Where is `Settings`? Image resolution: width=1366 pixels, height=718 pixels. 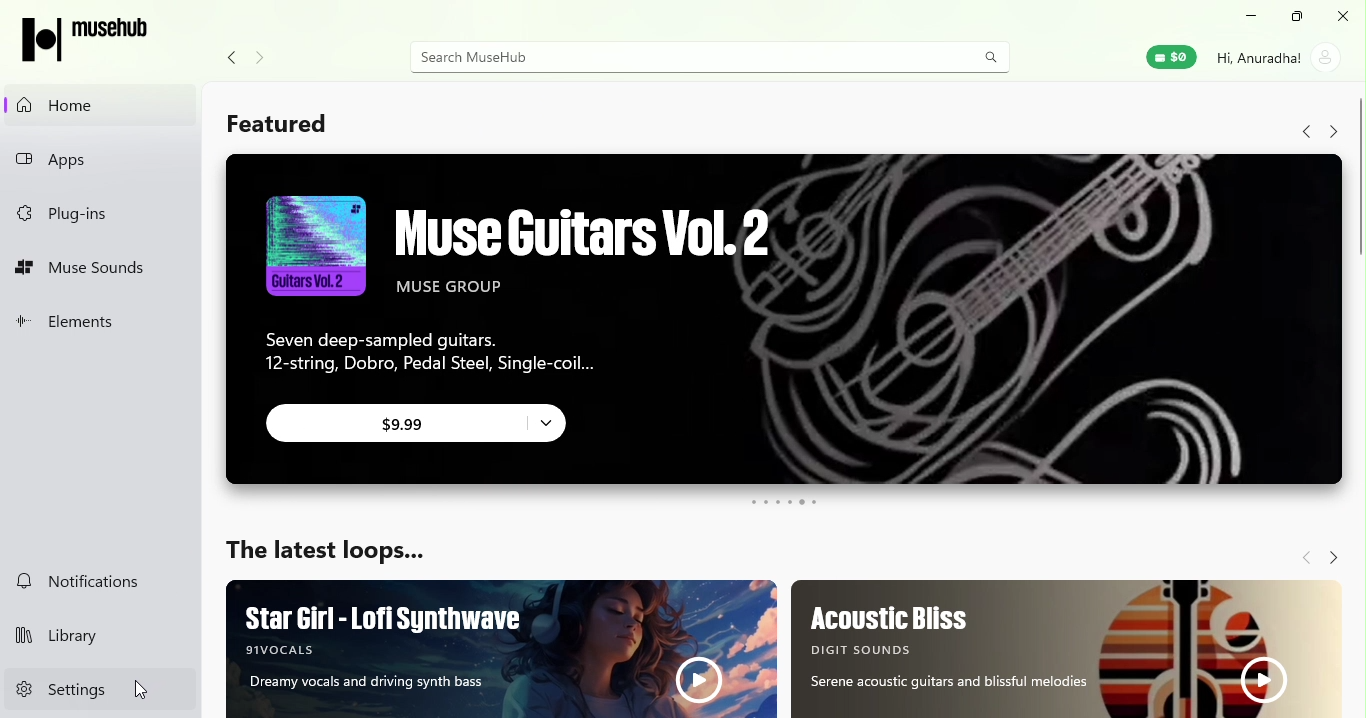
Settings is located at coordinates (97, 690).